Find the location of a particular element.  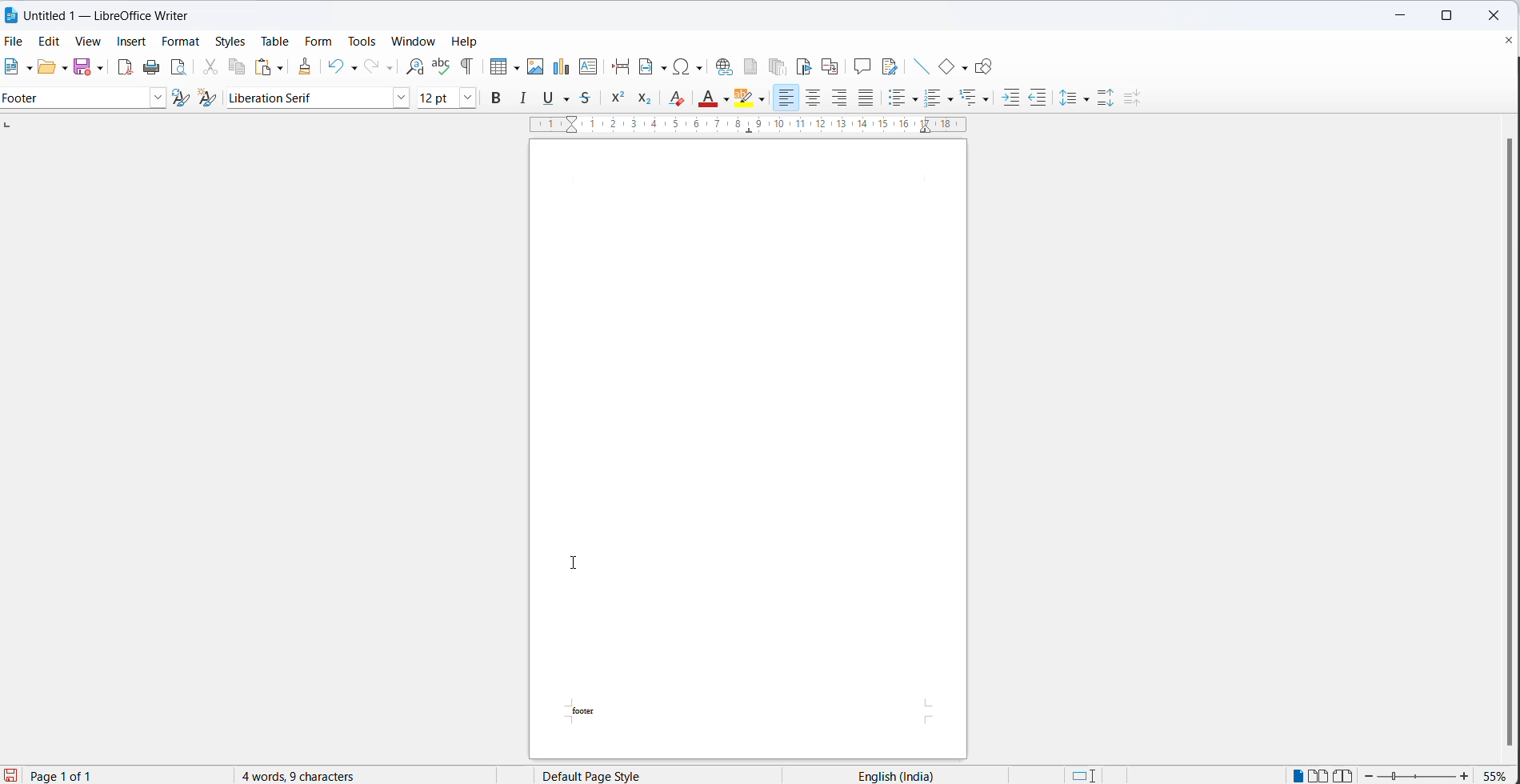

page style is located at coordinates (625, 775).